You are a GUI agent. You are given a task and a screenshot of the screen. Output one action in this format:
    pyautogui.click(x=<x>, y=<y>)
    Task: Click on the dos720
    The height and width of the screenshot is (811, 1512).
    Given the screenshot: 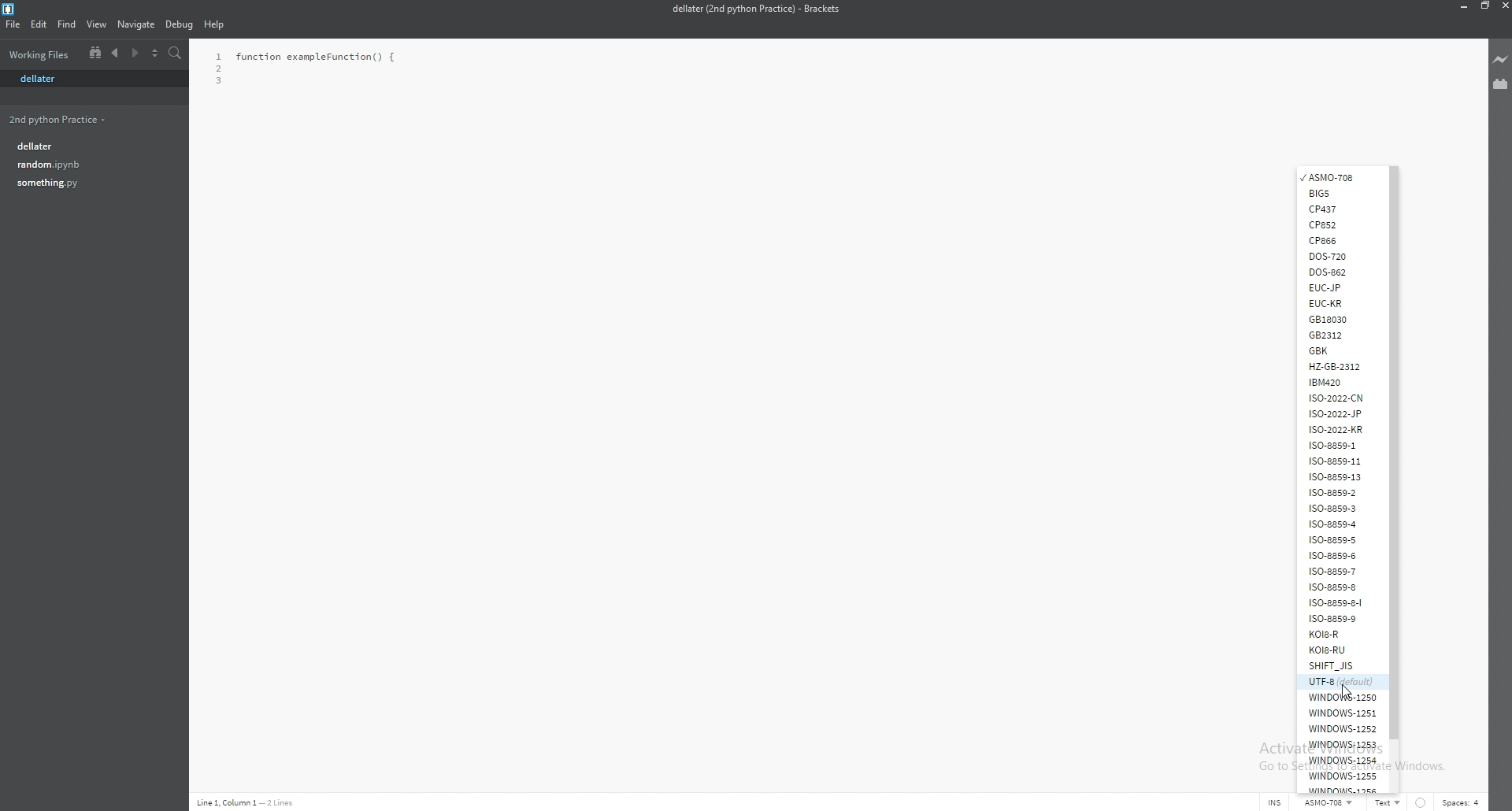 What is the action you would take?
    pyautogui.click(x=1340, y=256)
    